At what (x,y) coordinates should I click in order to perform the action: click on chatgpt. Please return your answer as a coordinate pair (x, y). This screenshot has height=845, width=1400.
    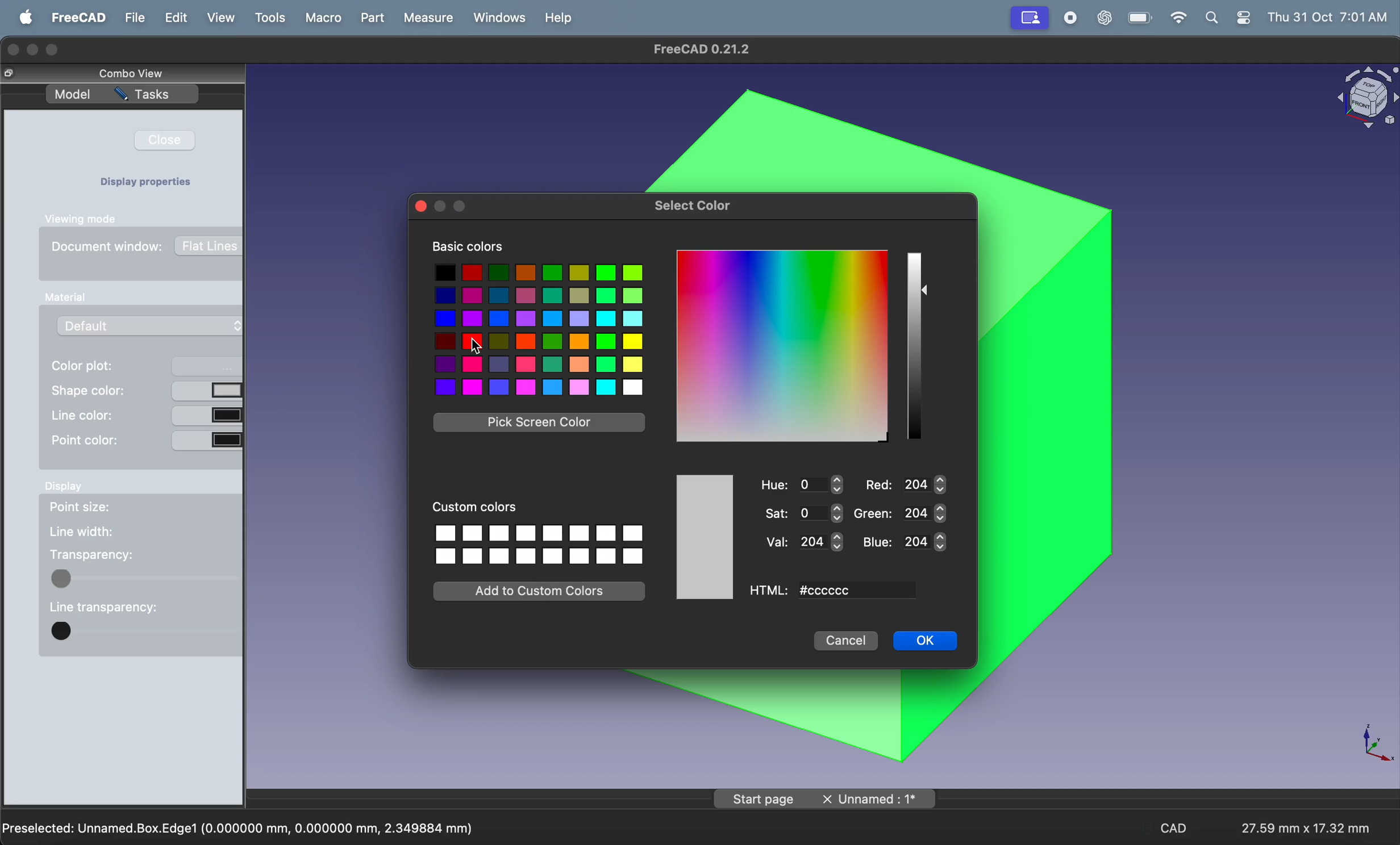
    Looking at the image, I should click on (1103, 19).